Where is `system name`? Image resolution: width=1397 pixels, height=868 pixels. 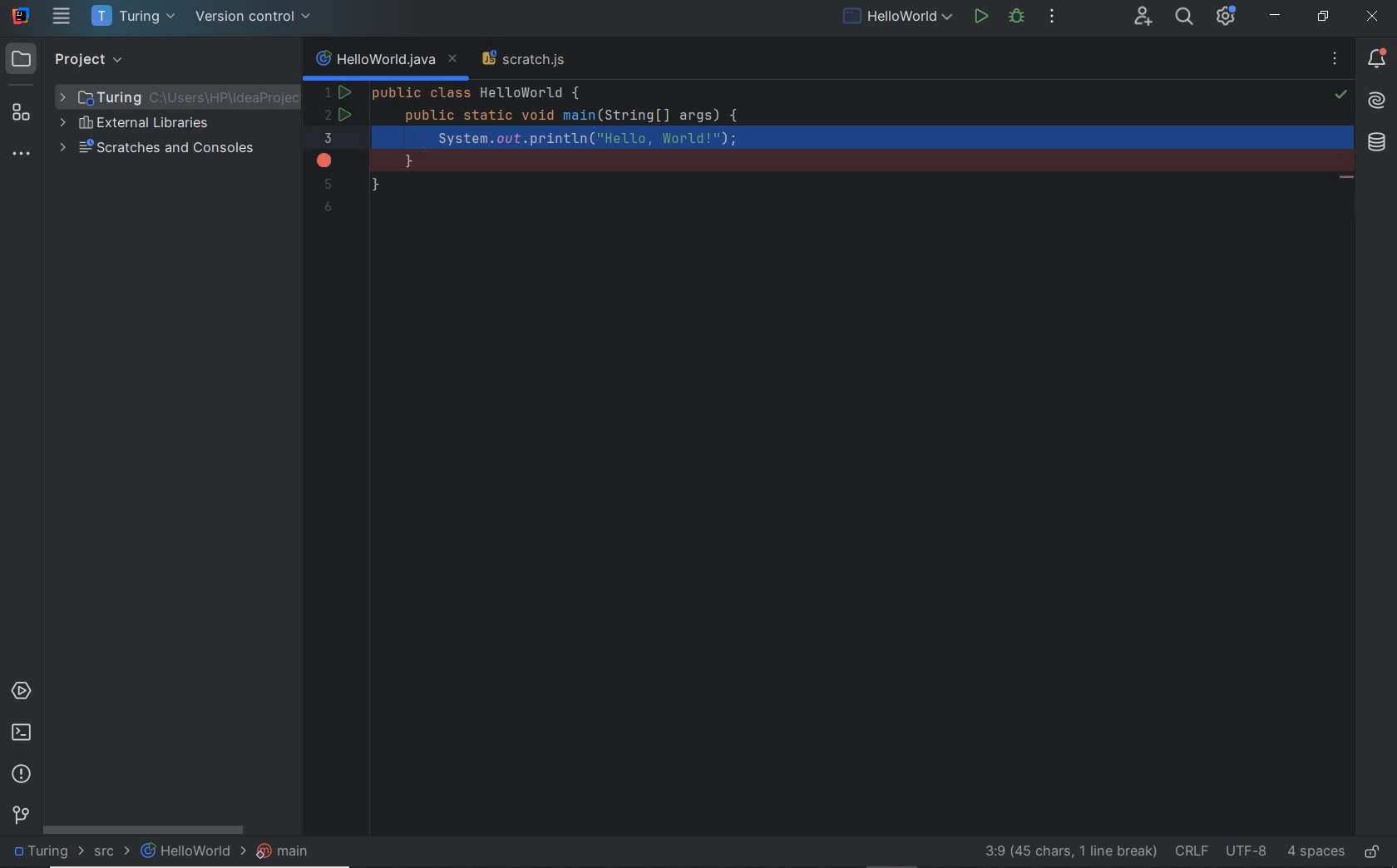
system name is located at coordinates (21, 17).